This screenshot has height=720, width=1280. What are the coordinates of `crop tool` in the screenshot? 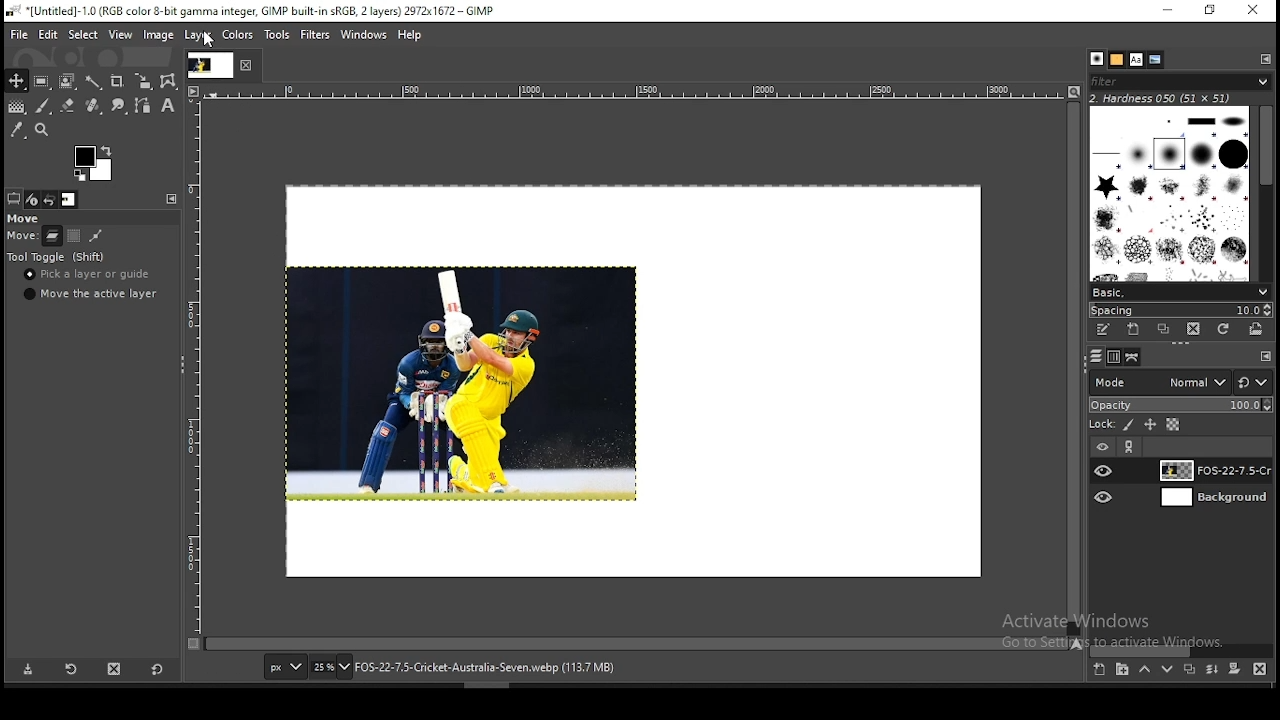 It's located at (140, 82).